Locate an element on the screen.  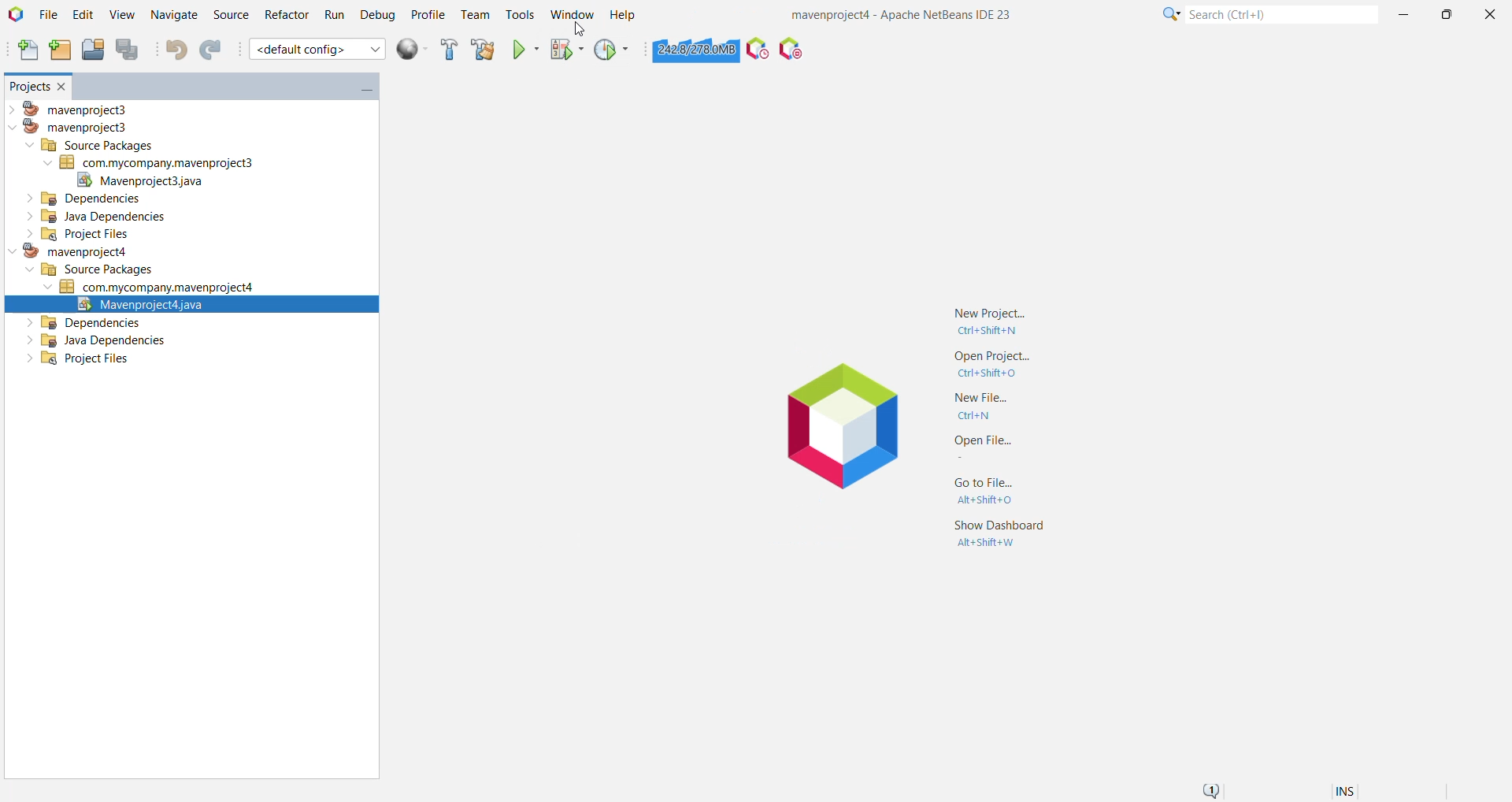
Source Packages is located at coordinates (91, 269).